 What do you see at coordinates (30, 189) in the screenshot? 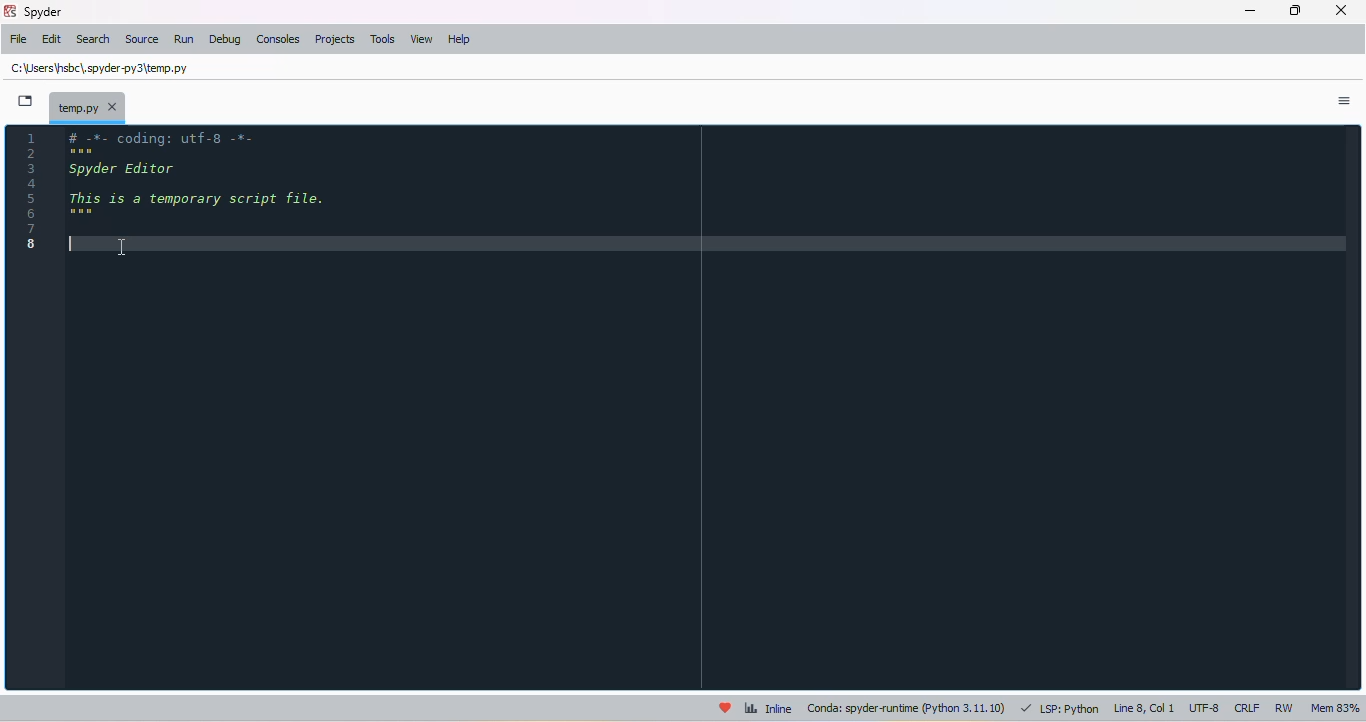
I see `line numbers` at bounding box center [30, 189].